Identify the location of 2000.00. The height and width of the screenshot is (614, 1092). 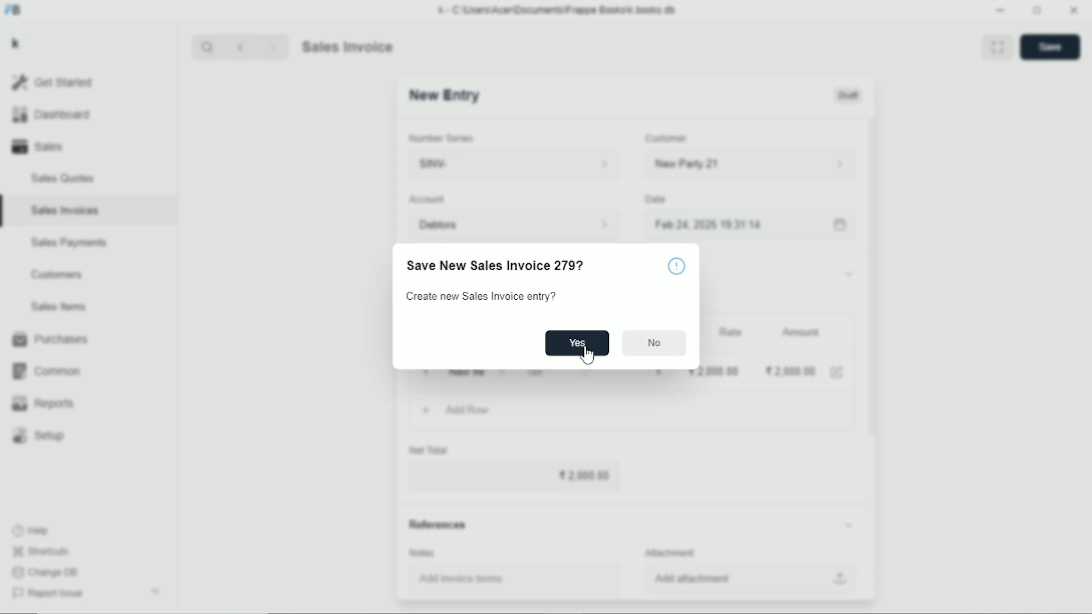
(586, 475).